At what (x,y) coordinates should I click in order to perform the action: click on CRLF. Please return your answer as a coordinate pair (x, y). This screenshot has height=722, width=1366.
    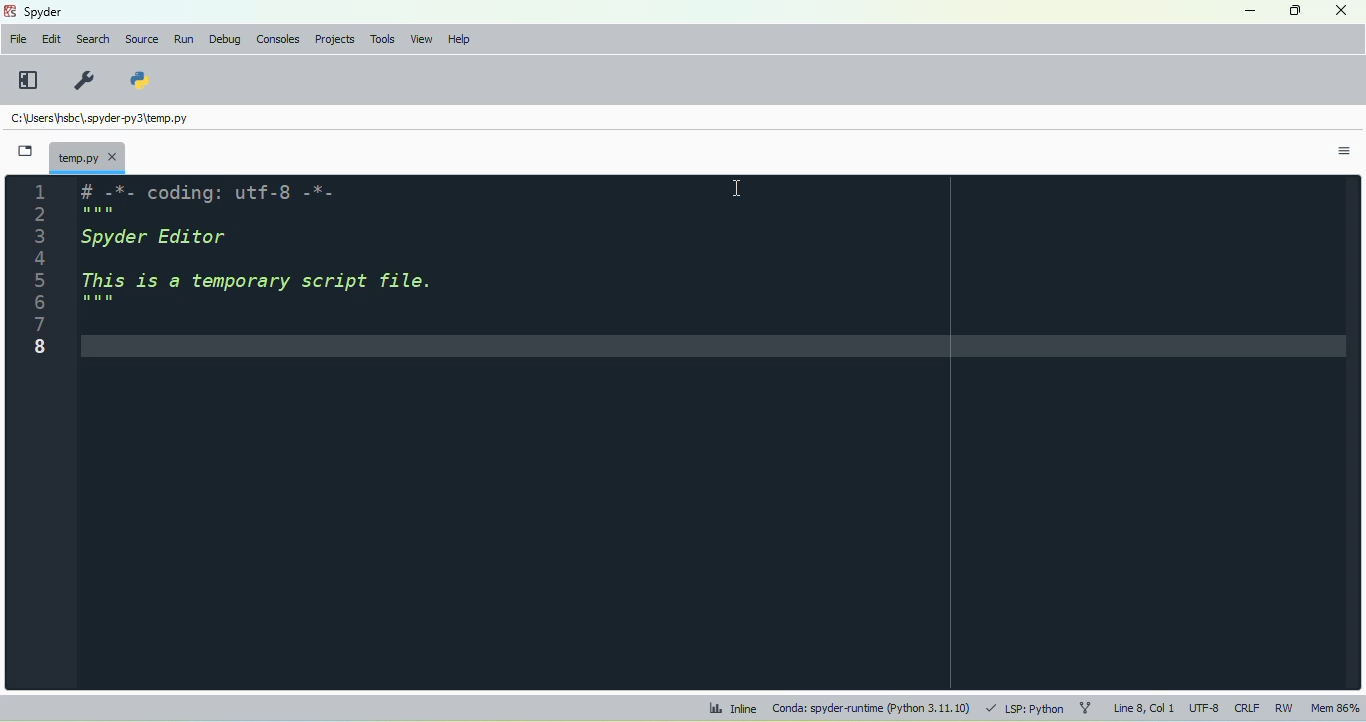
    Looking at the image, I should click on (1246, 709).